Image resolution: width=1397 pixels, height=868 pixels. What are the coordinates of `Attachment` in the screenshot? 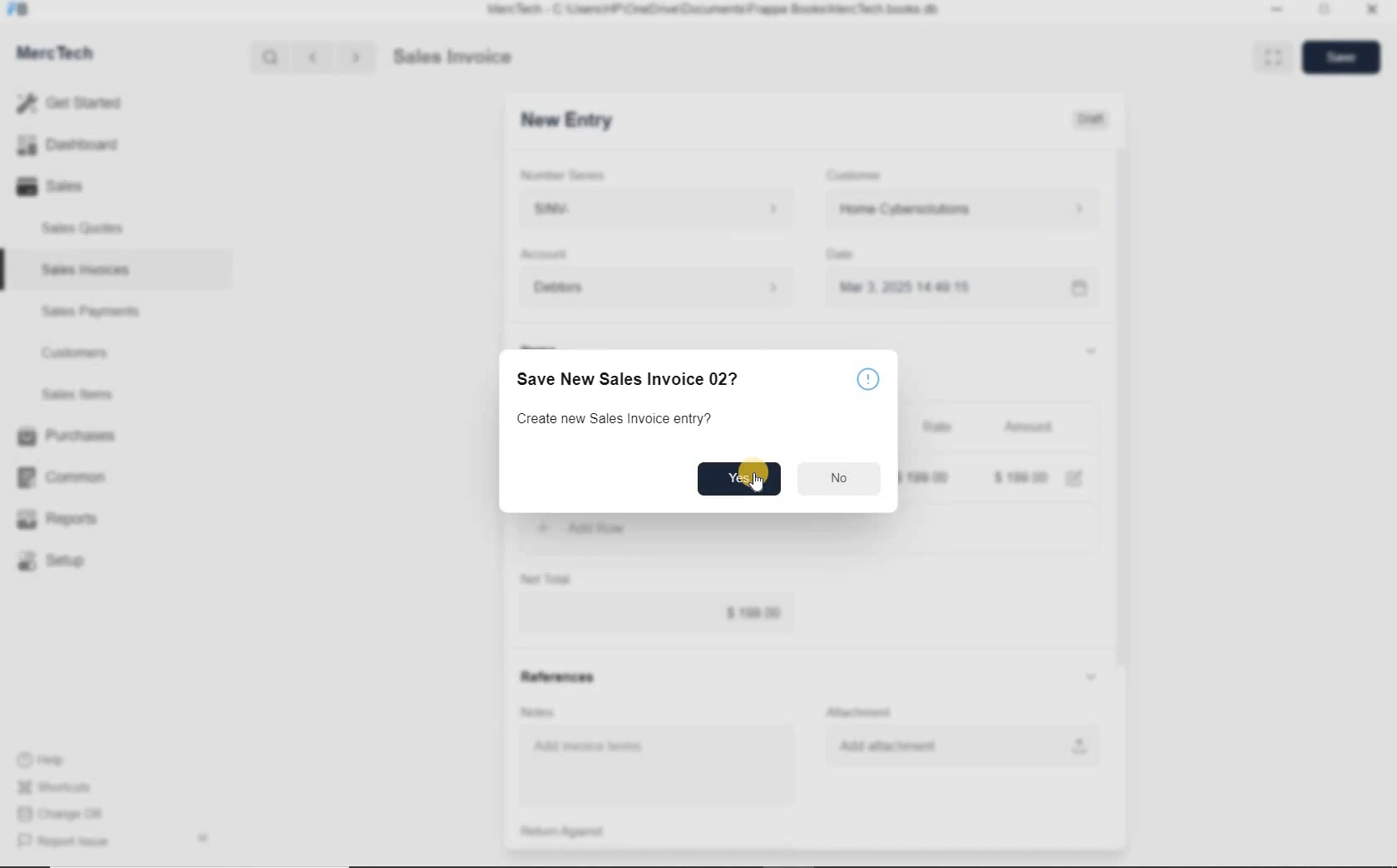 It's located at (862, 713).